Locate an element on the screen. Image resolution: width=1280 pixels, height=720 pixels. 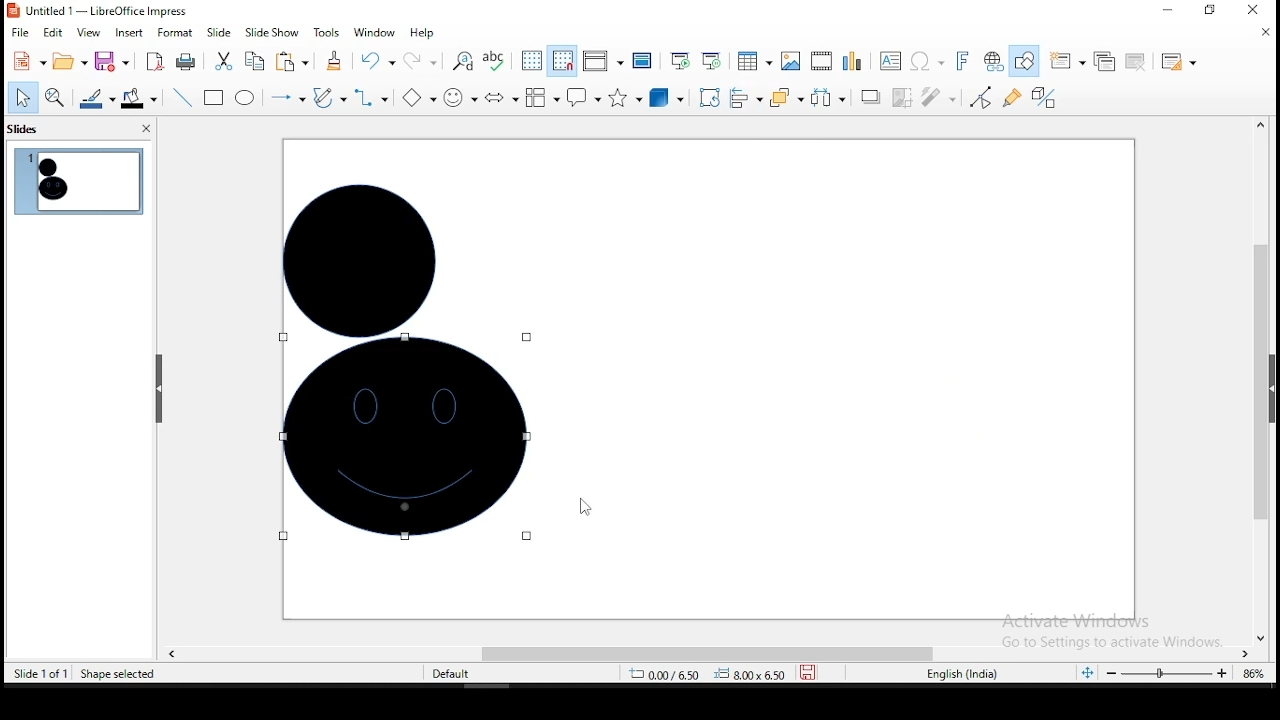
english (india) is located at coordinates (967, 674).